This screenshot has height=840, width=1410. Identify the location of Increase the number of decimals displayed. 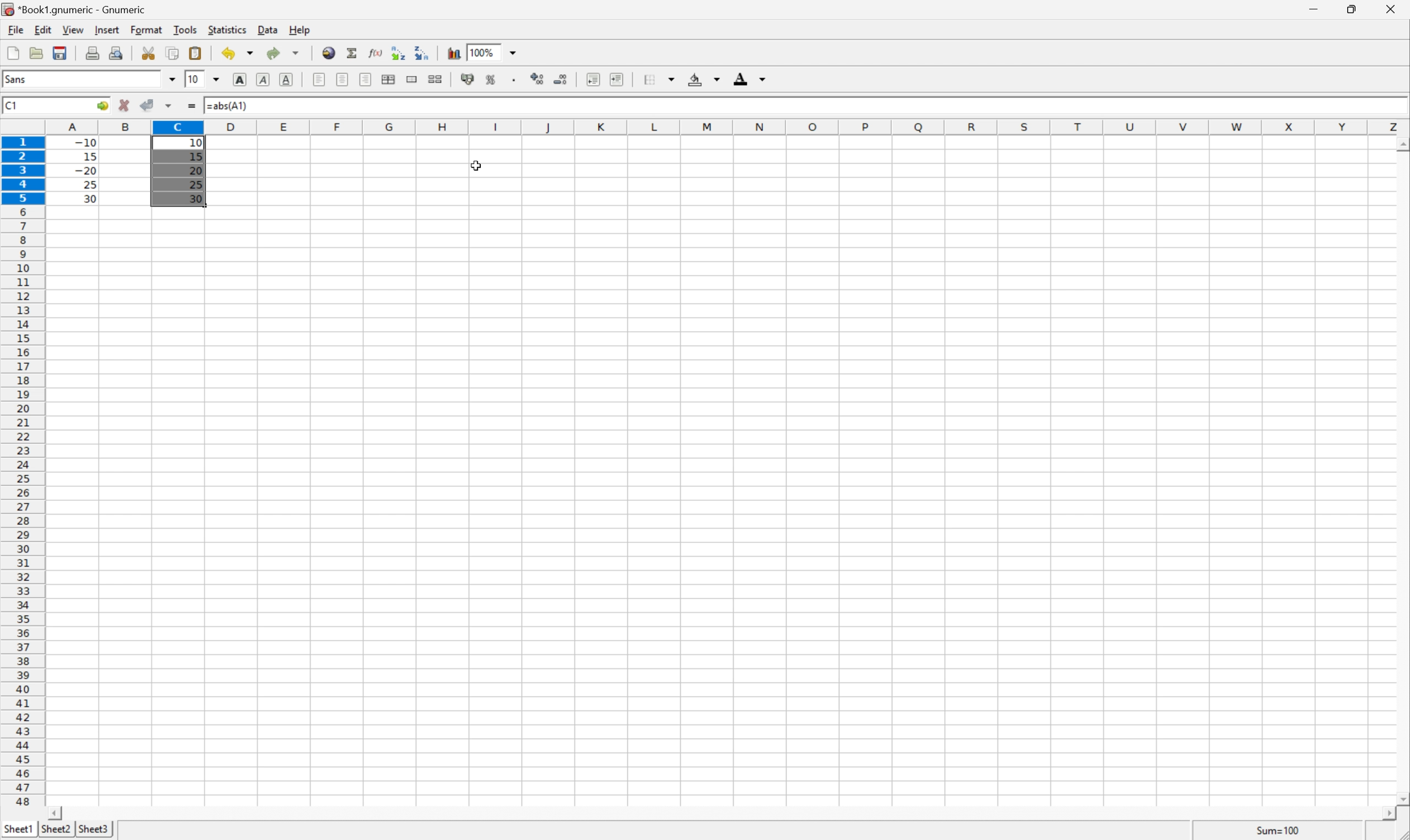
(540, 80).